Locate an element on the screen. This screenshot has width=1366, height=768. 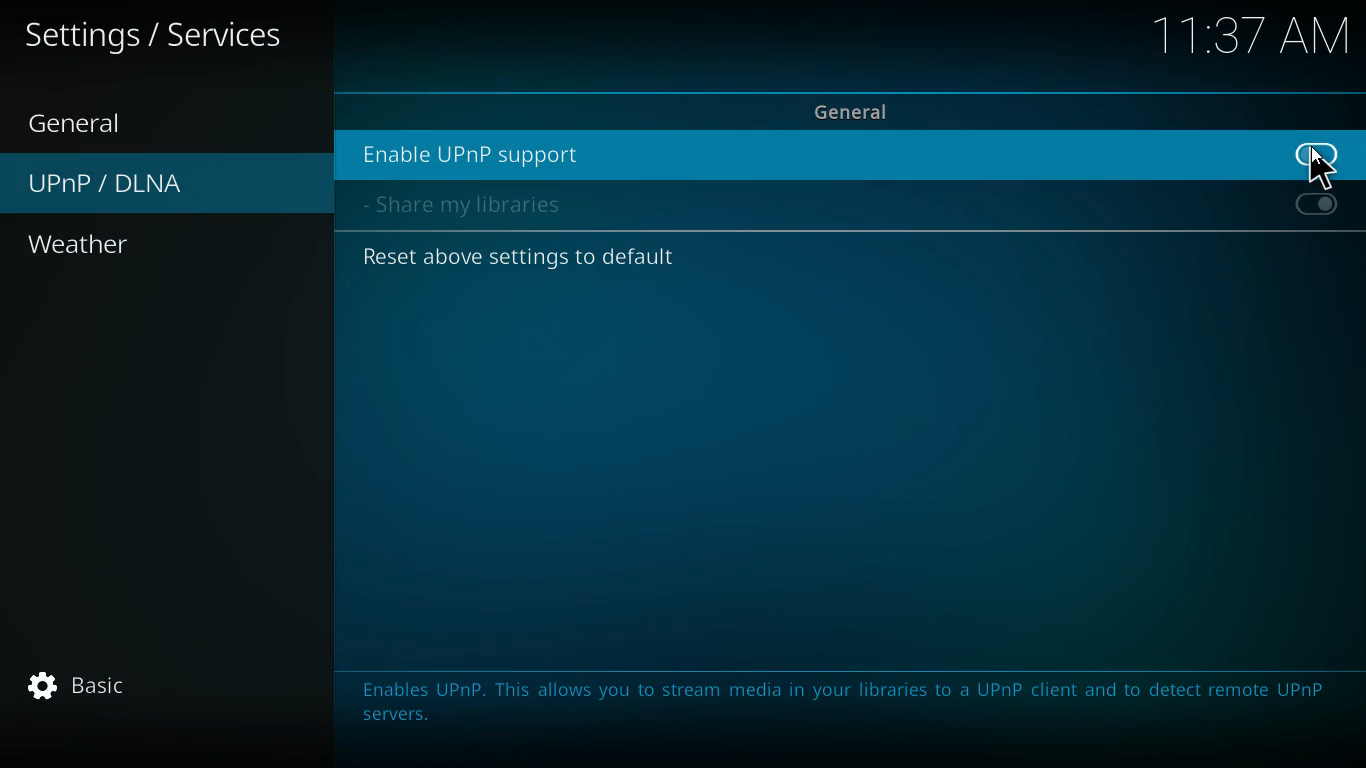
basic is located at coordinates (117, 690).